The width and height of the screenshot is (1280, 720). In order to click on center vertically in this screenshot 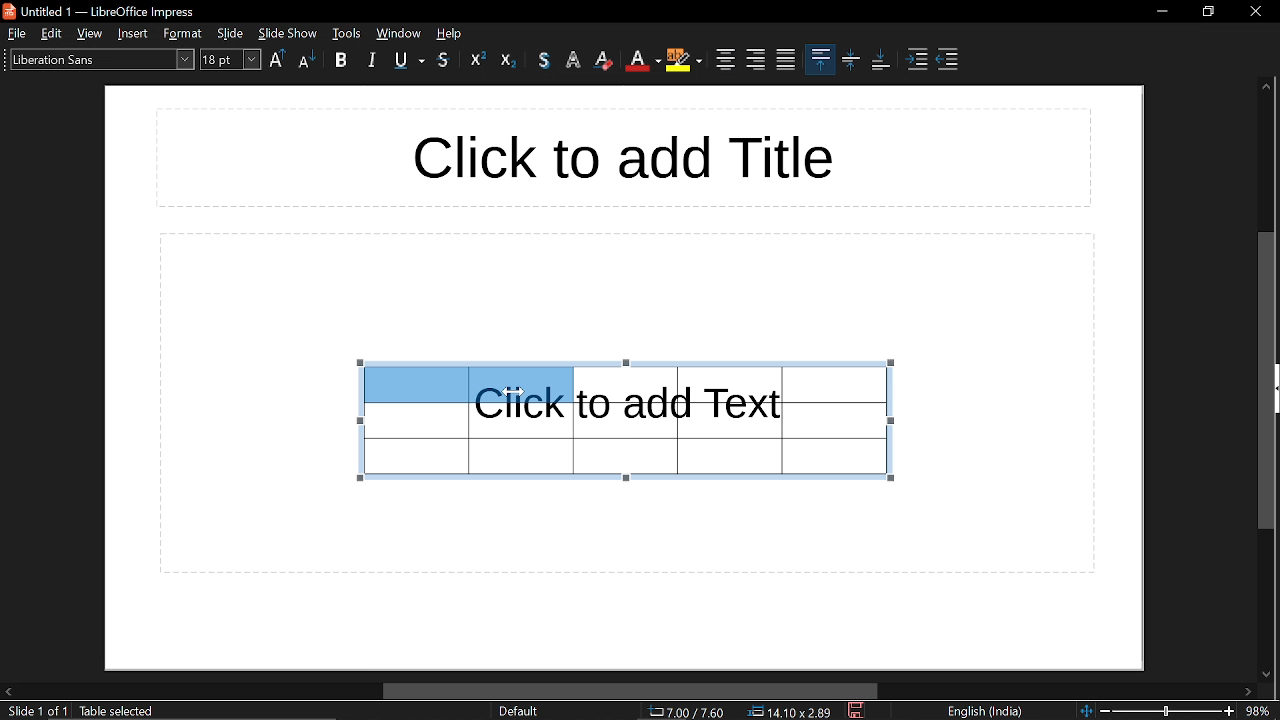, I will do `click(851, 61)`.